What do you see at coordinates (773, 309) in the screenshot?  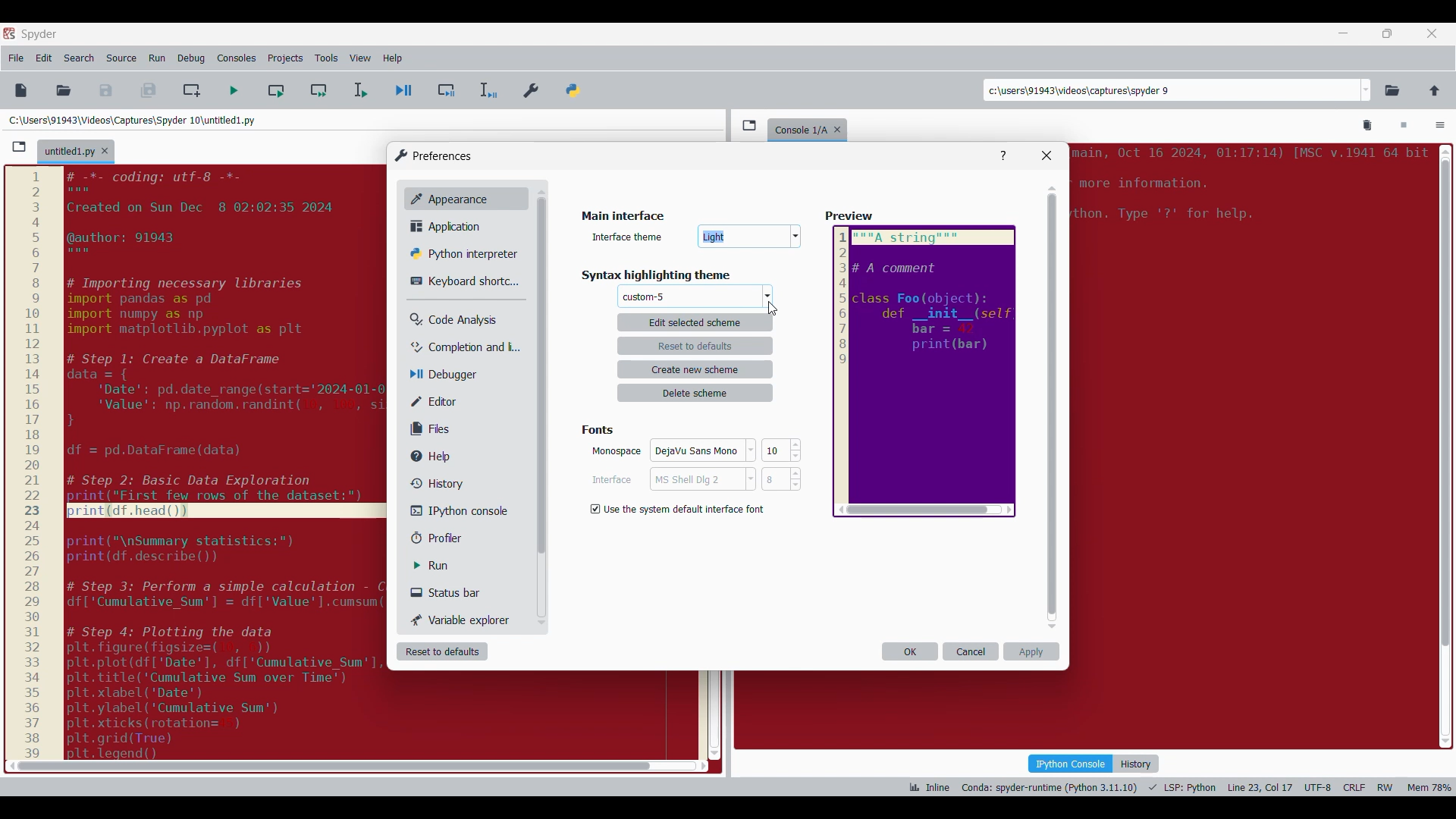 I see `Cursor clicking on theme options` at bounding box center [773, 309].